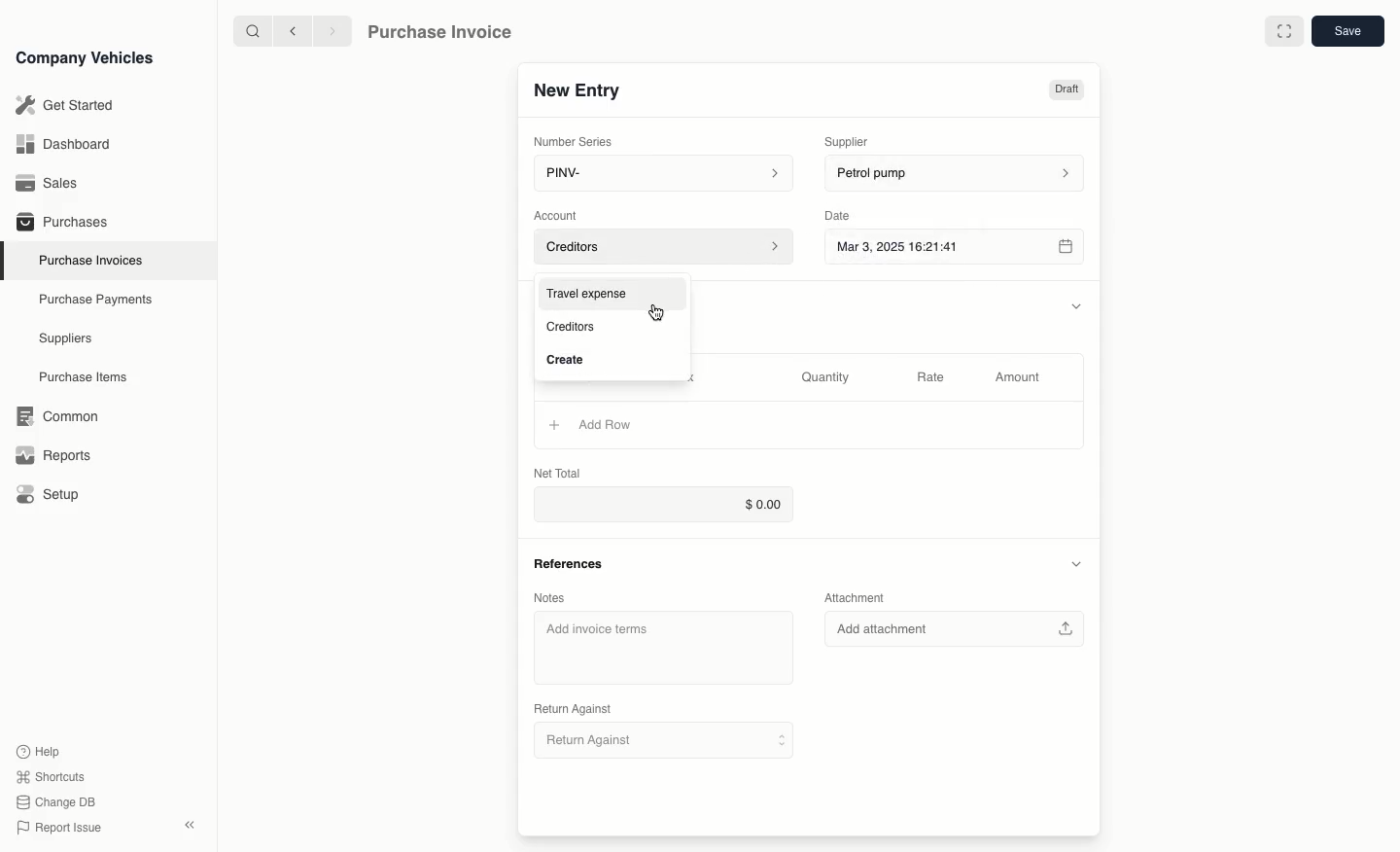  Describe the element at coordinates (93, 300) in the screenshot. I see `Purchase Payments` at that location.